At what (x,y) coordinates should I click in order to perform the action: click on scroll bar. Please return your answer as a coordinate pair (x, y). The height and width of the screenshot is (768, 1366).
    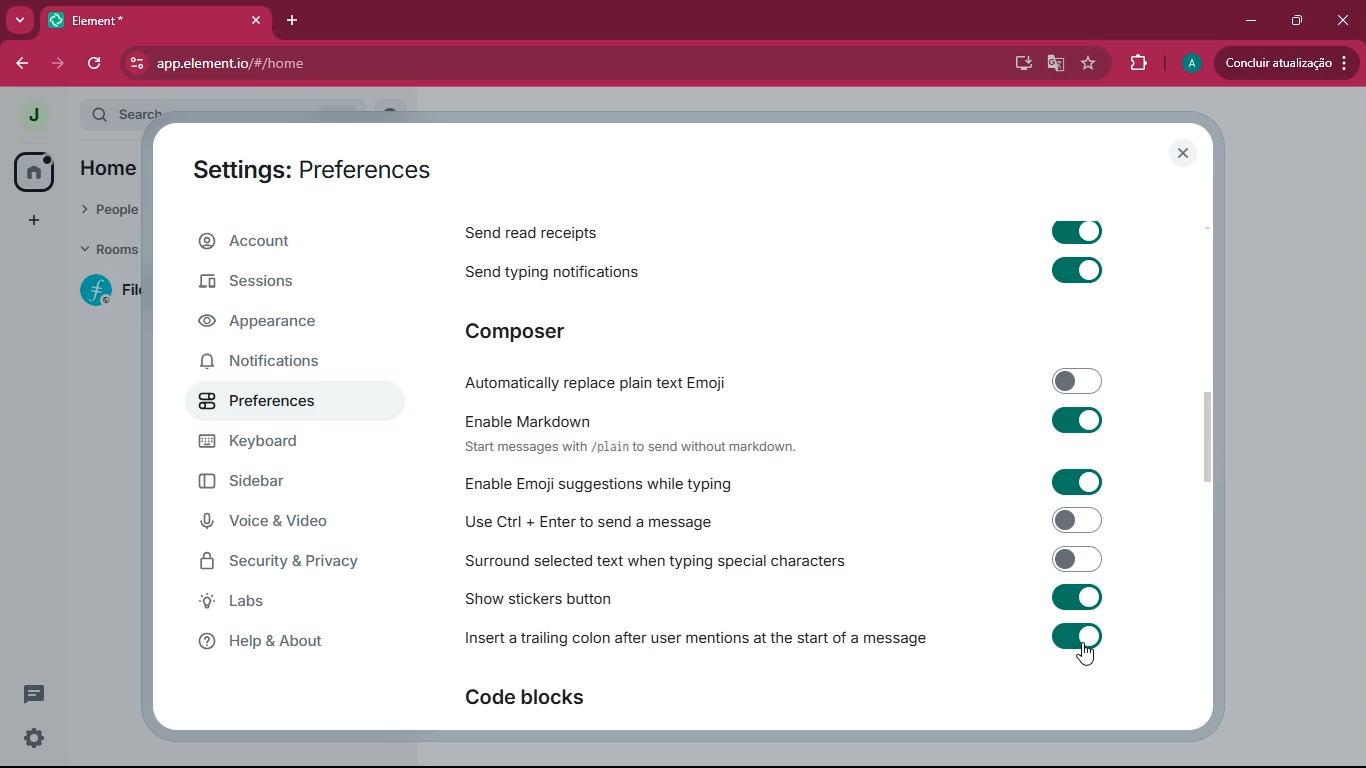
    Looking at the image, I should click on (1206, 431).